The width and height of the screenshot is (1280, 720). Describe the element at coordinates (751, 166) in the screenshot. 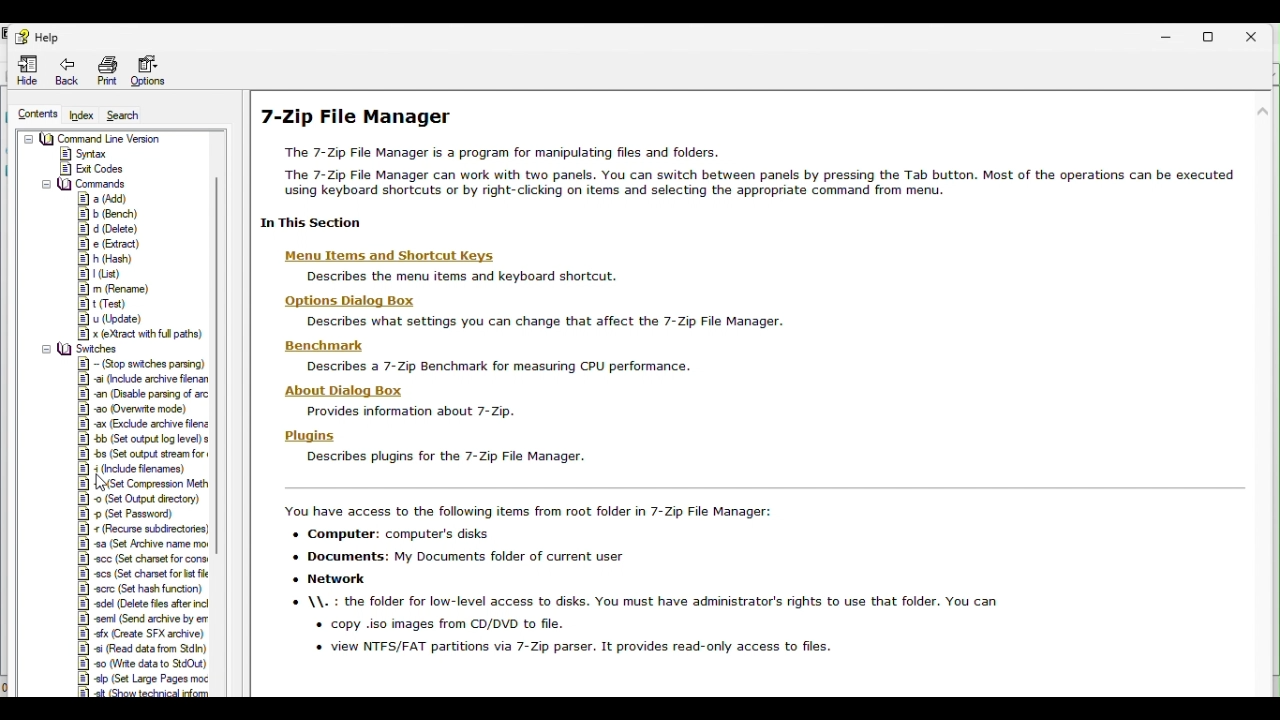

I see `7 zip file manager help page` at that location.